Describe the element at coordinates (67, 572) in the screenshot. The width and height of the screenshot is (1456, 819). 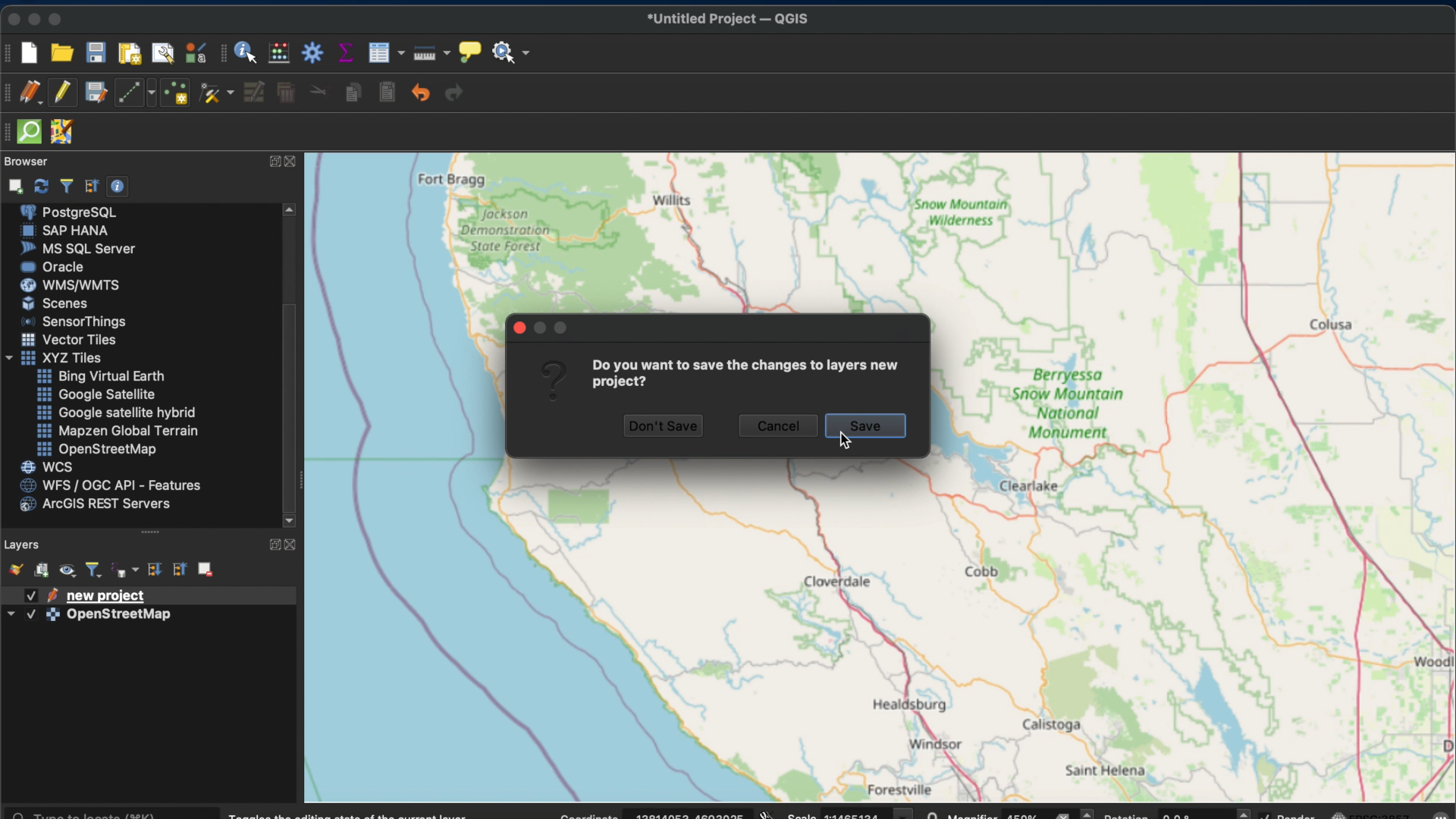
I see `open map themes` at that location.